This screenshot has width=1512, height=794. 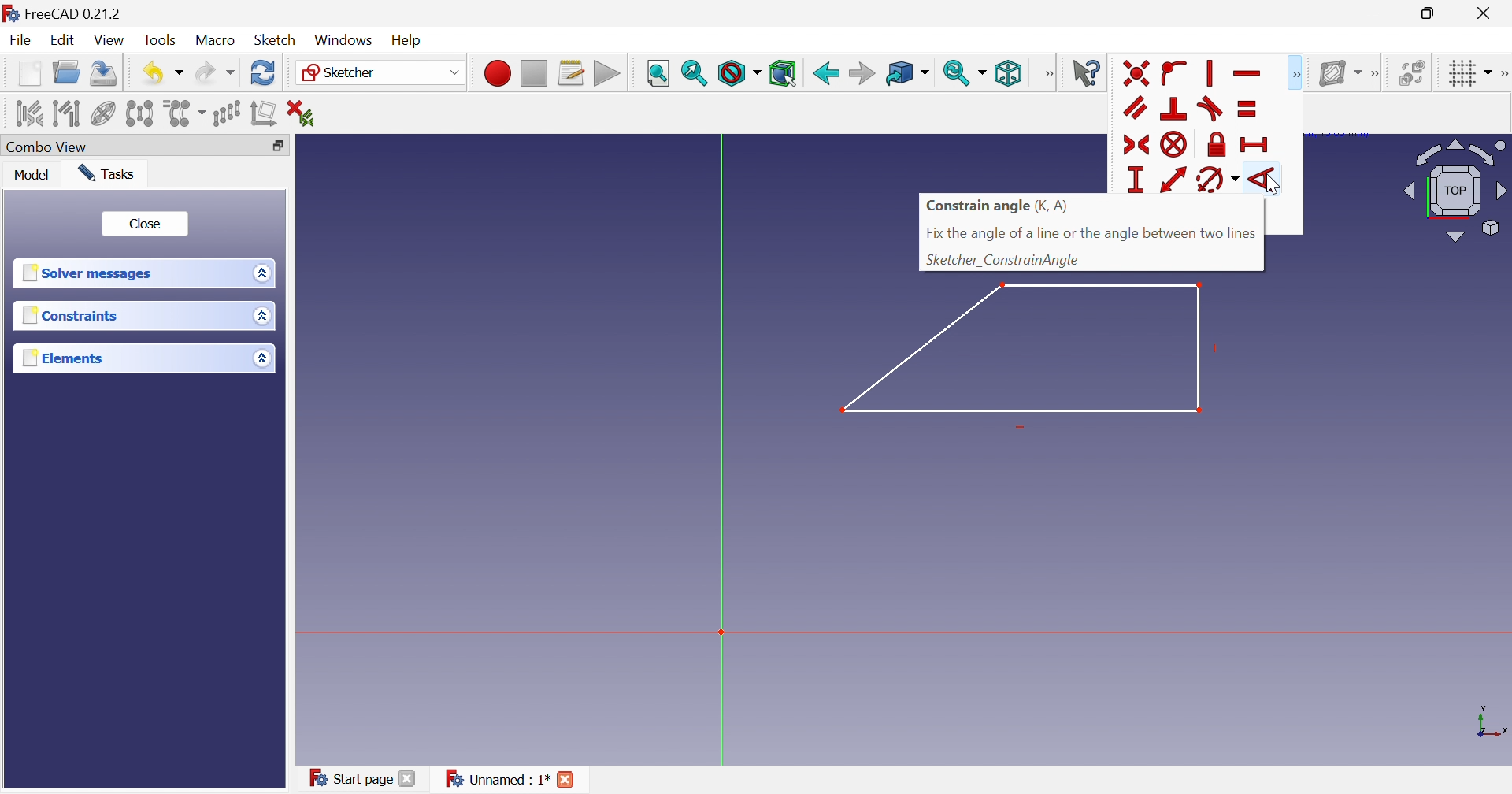 I want to click on Redo, so click(x=213, y=76).